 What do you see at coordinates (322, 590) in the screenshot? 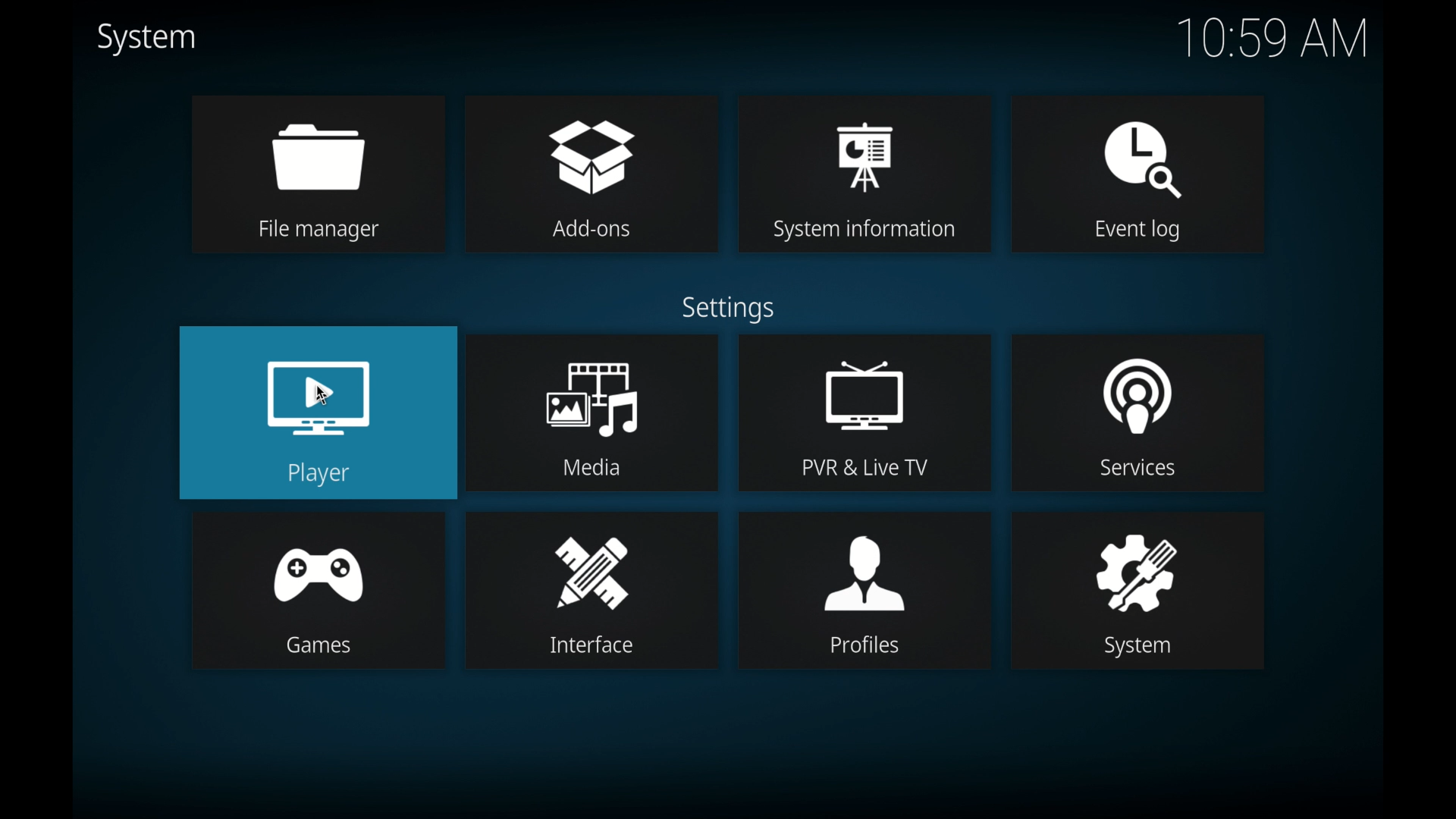
I see `games` at bounding box center [322, 590].